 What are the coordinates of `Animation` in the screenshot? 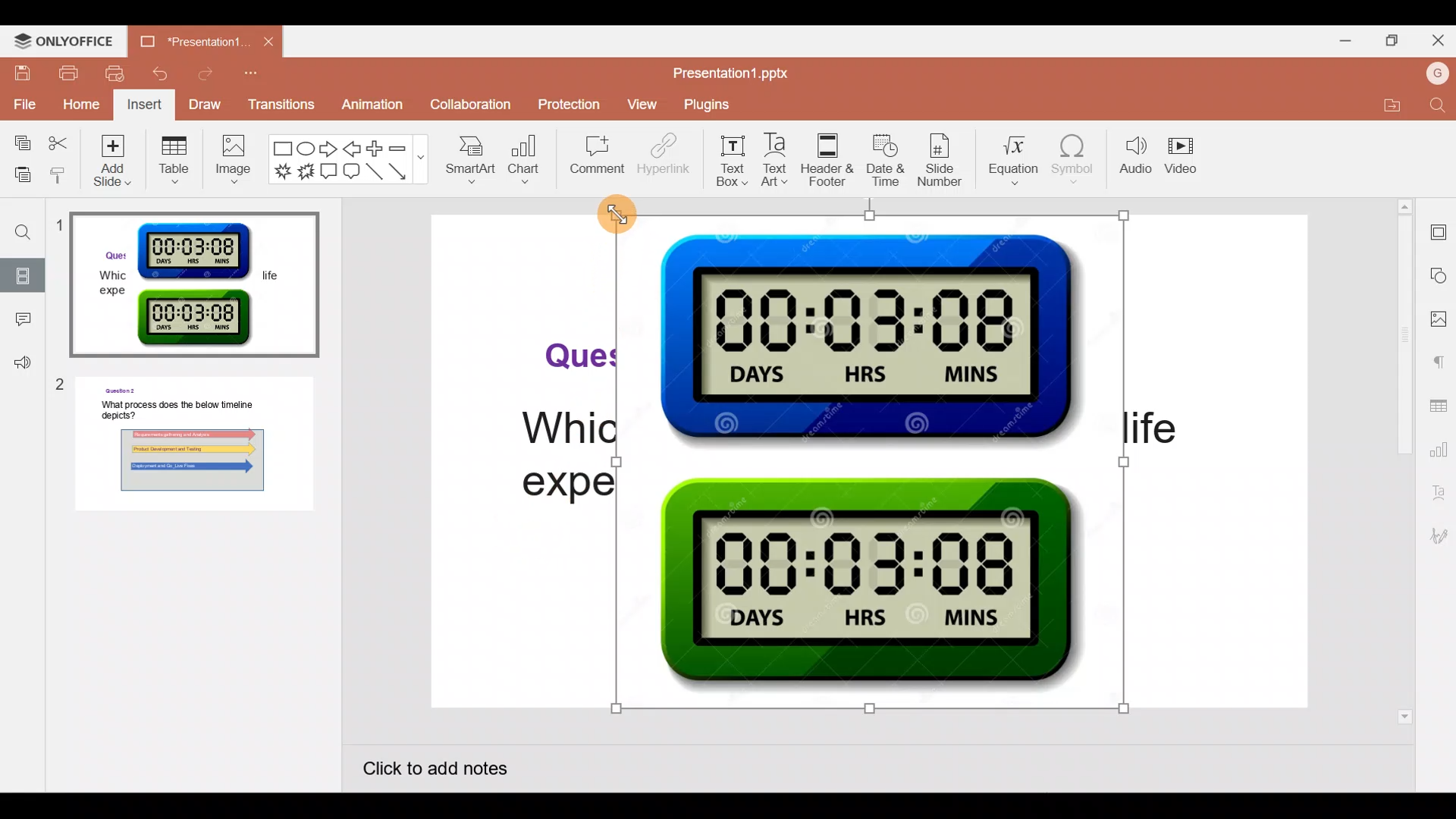 It's located at (365, 103).